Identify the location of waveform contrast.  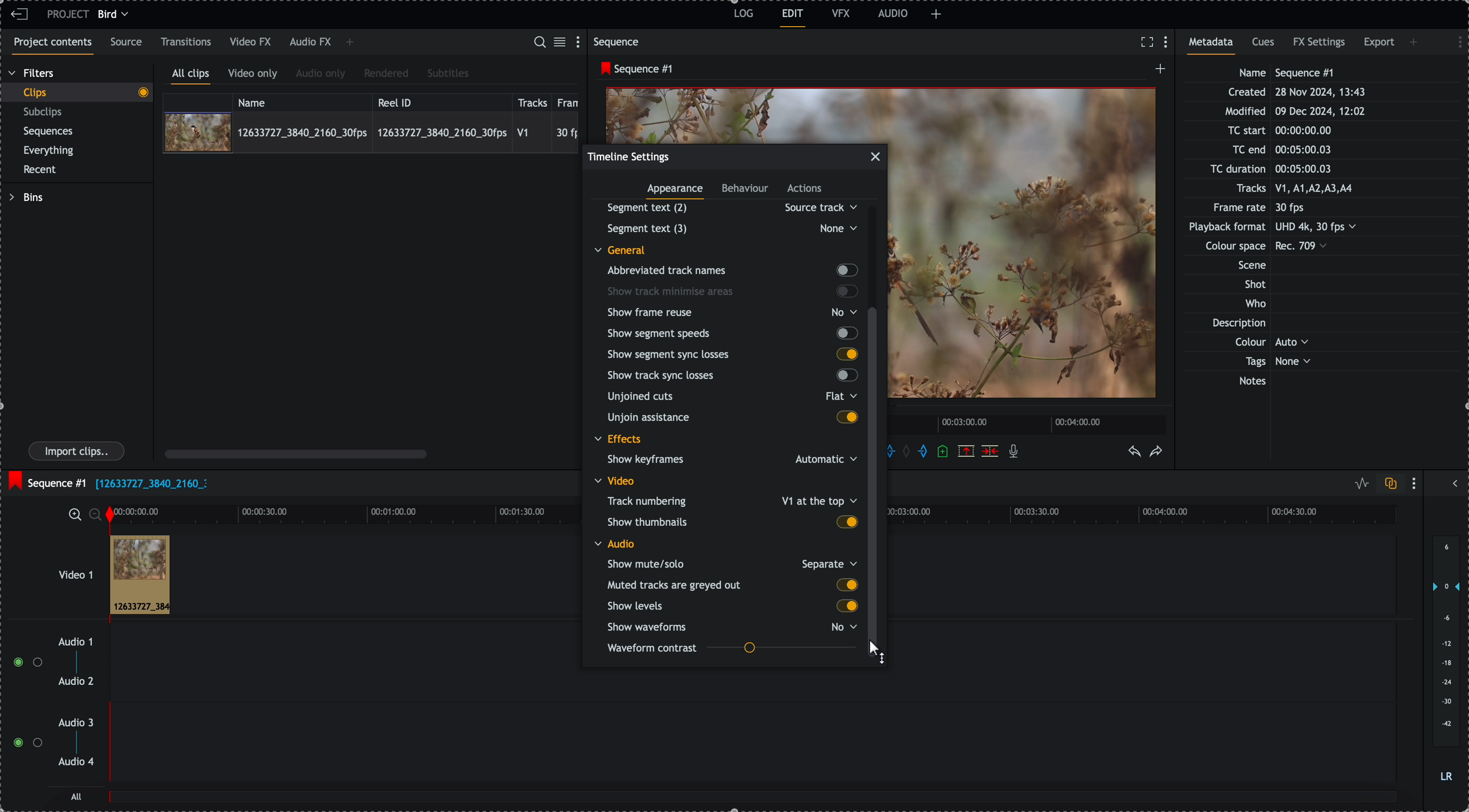
(731, 648).